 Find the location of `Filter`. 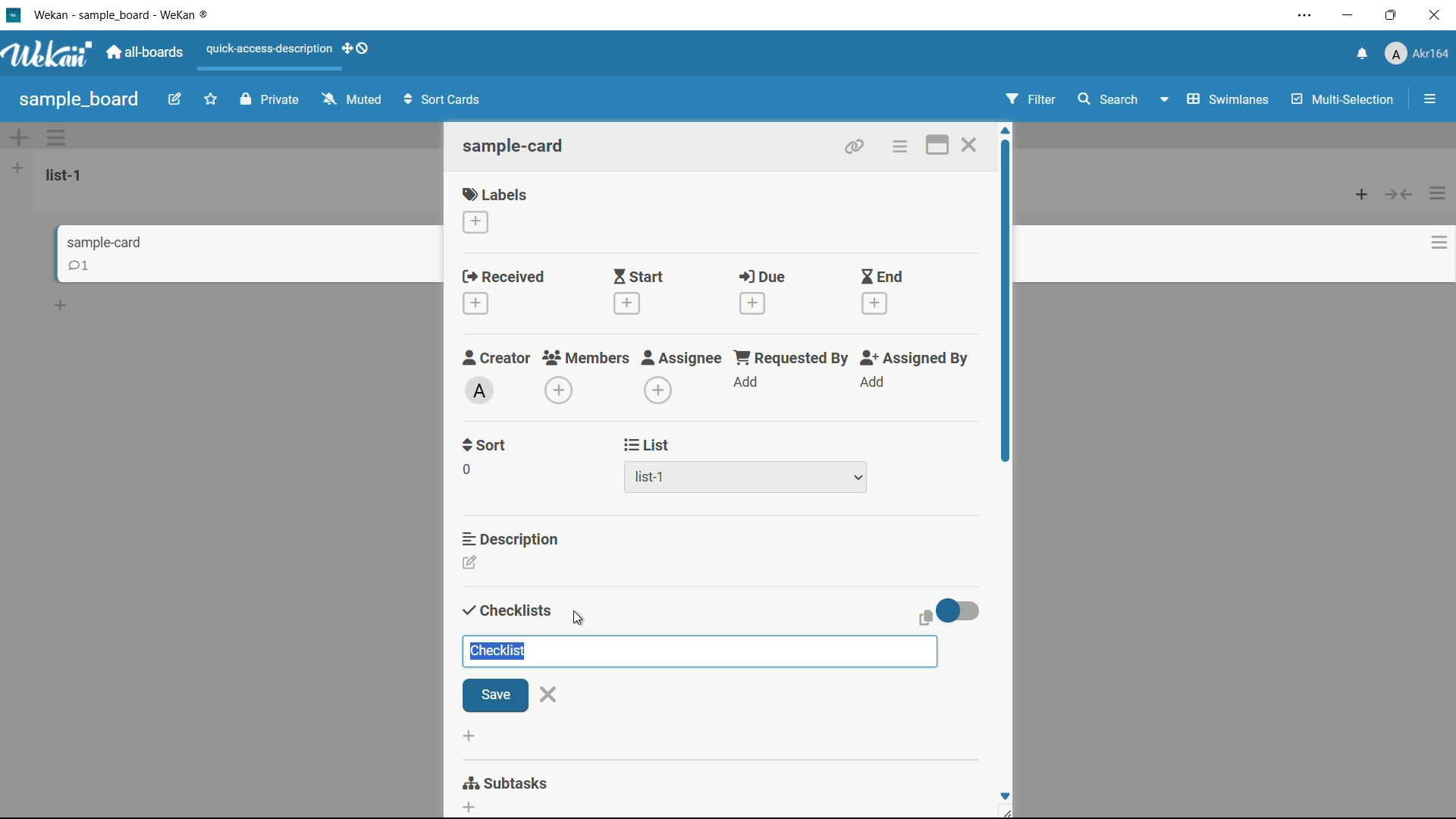

Filter is located at coordinates (1031, 101).